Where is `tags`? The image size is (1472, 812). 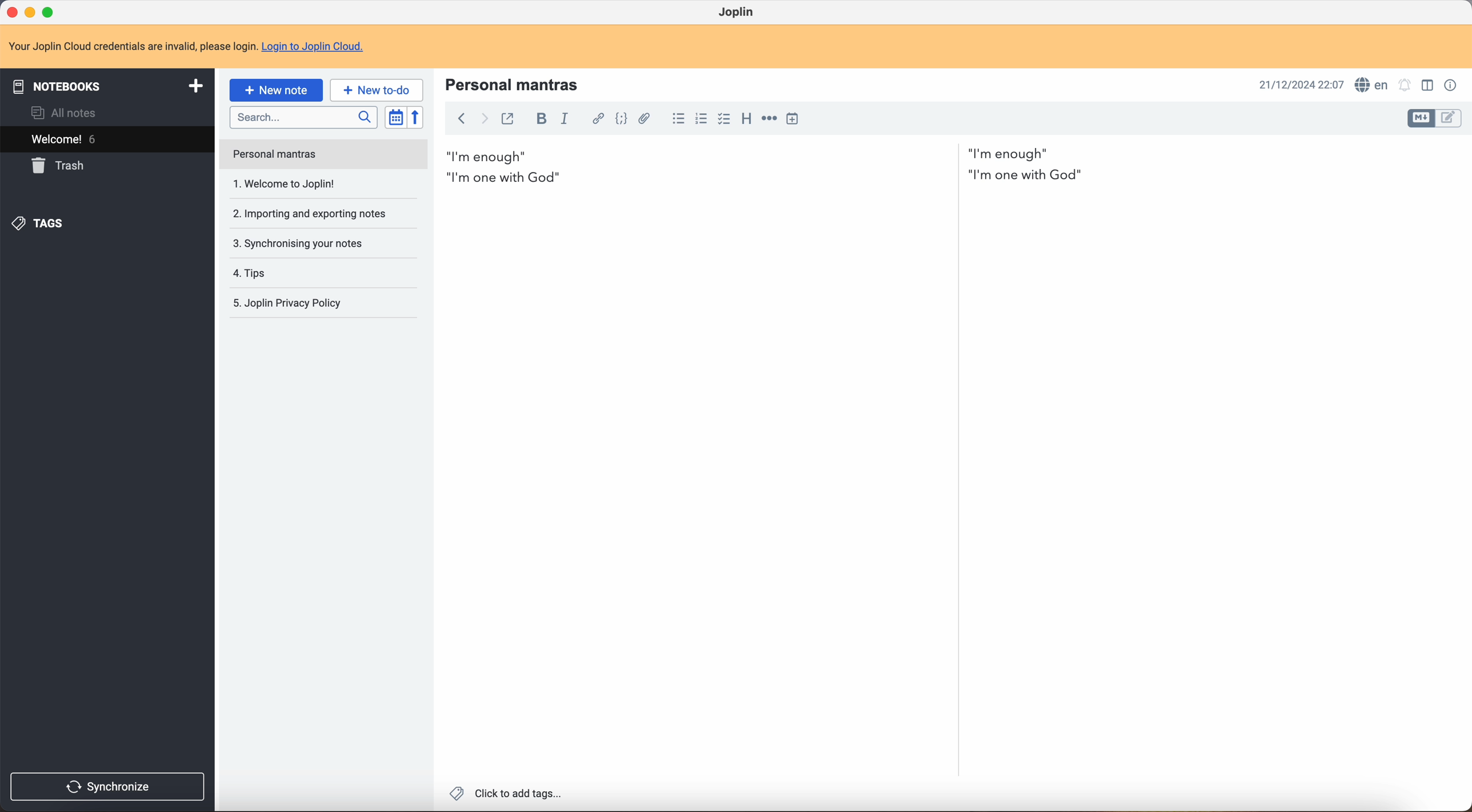
tags is located at coordinates (41, 225).